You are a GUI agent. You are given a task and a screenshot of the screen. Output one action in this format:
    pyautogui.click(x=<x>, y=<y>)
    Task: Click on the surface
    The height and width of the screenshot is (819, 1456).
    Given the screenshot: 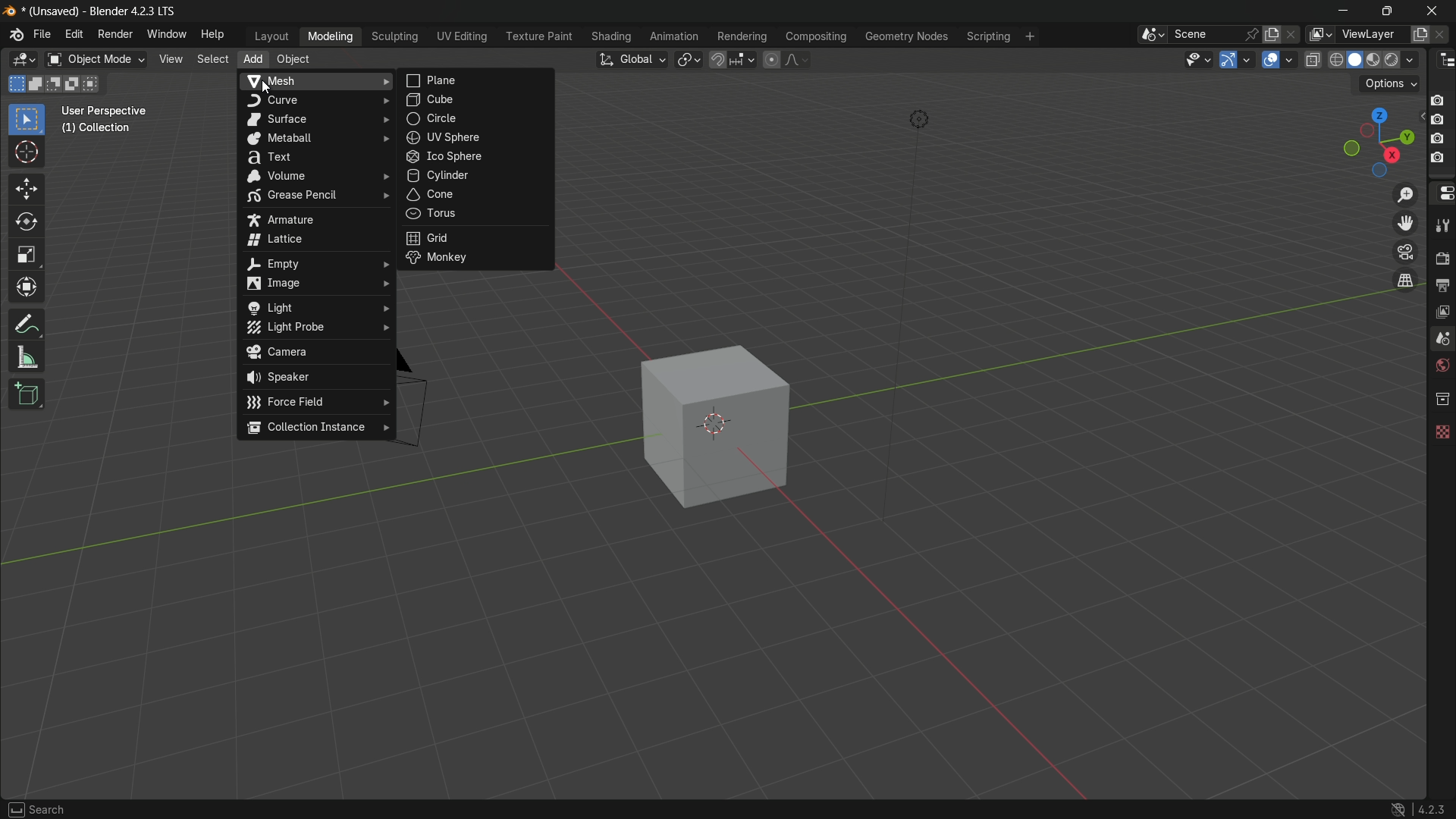 What is the action you would take?
    pyautogui.click(x=316, y=118)
    